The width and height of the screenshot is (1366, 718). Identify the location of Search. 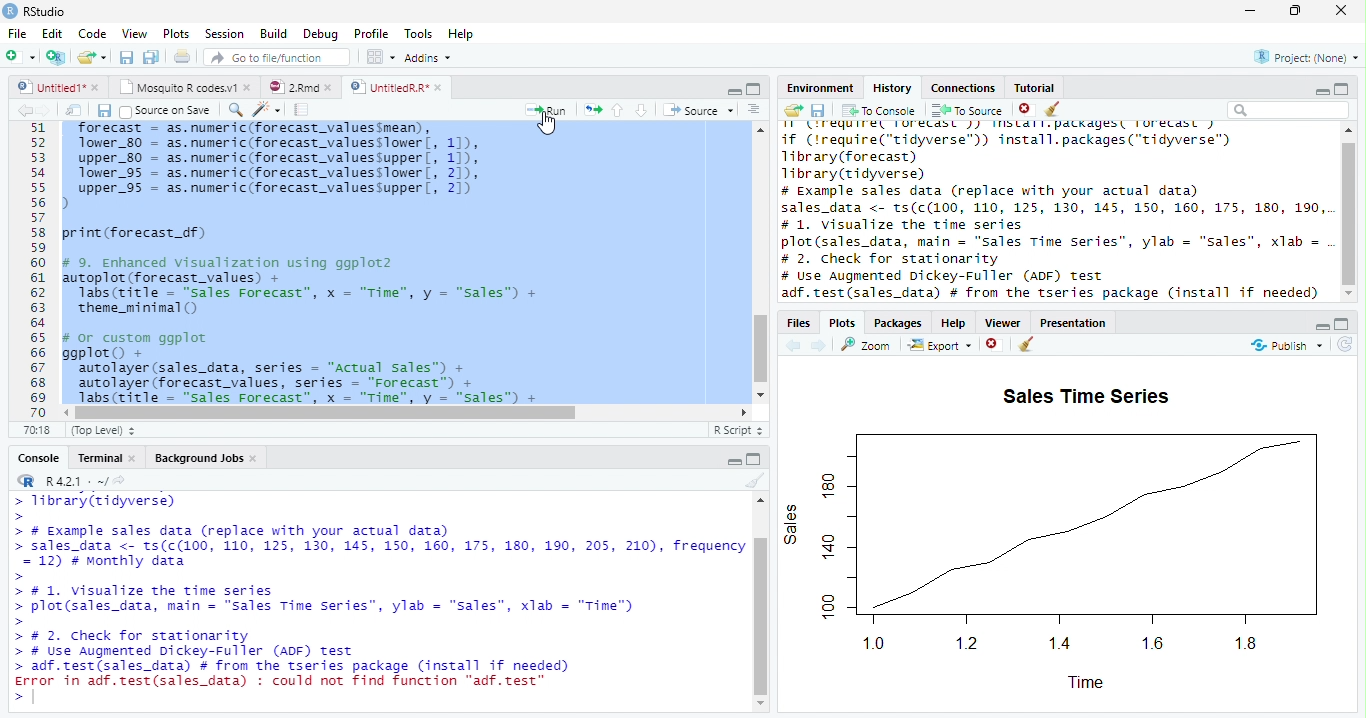
(1289, 111).